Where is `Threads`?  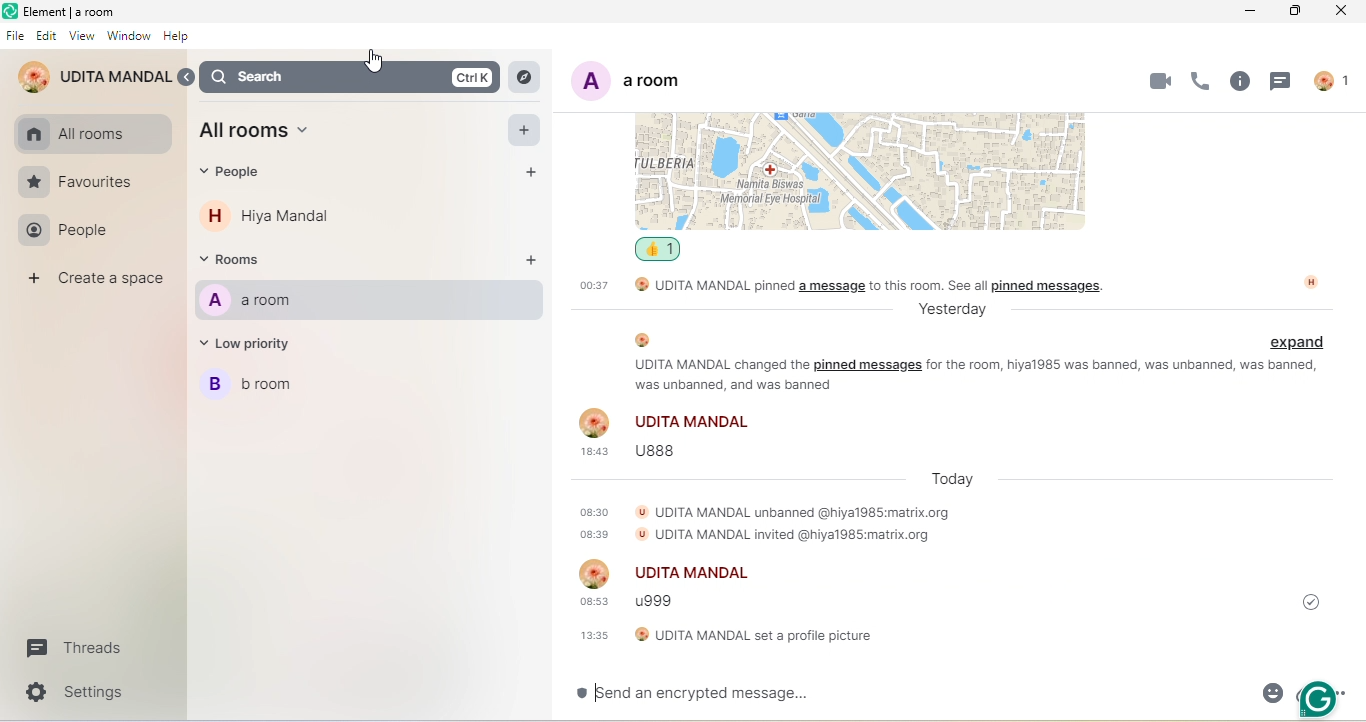 Threads is located at coordinates (77, 648).